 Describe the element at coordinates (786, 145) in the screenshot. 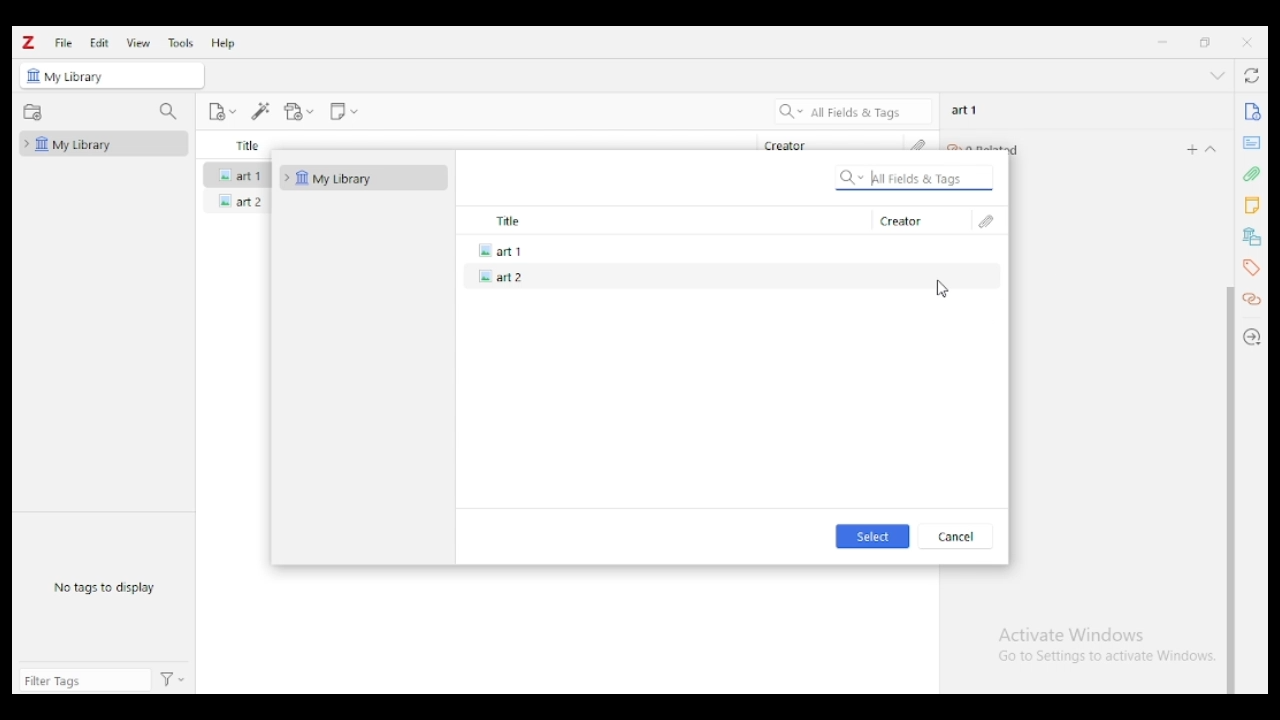

I see `creator` at that location.